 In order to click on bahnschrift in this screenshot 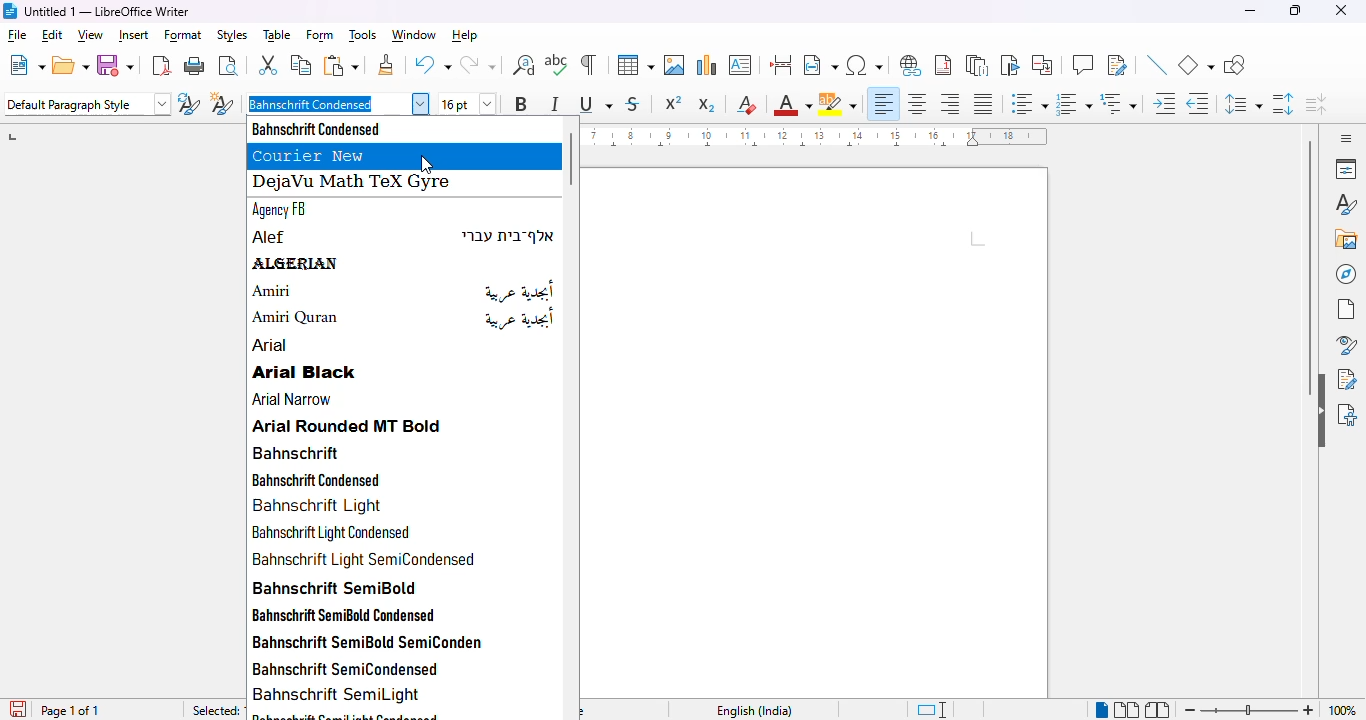, I will do `click(318, 479)`.